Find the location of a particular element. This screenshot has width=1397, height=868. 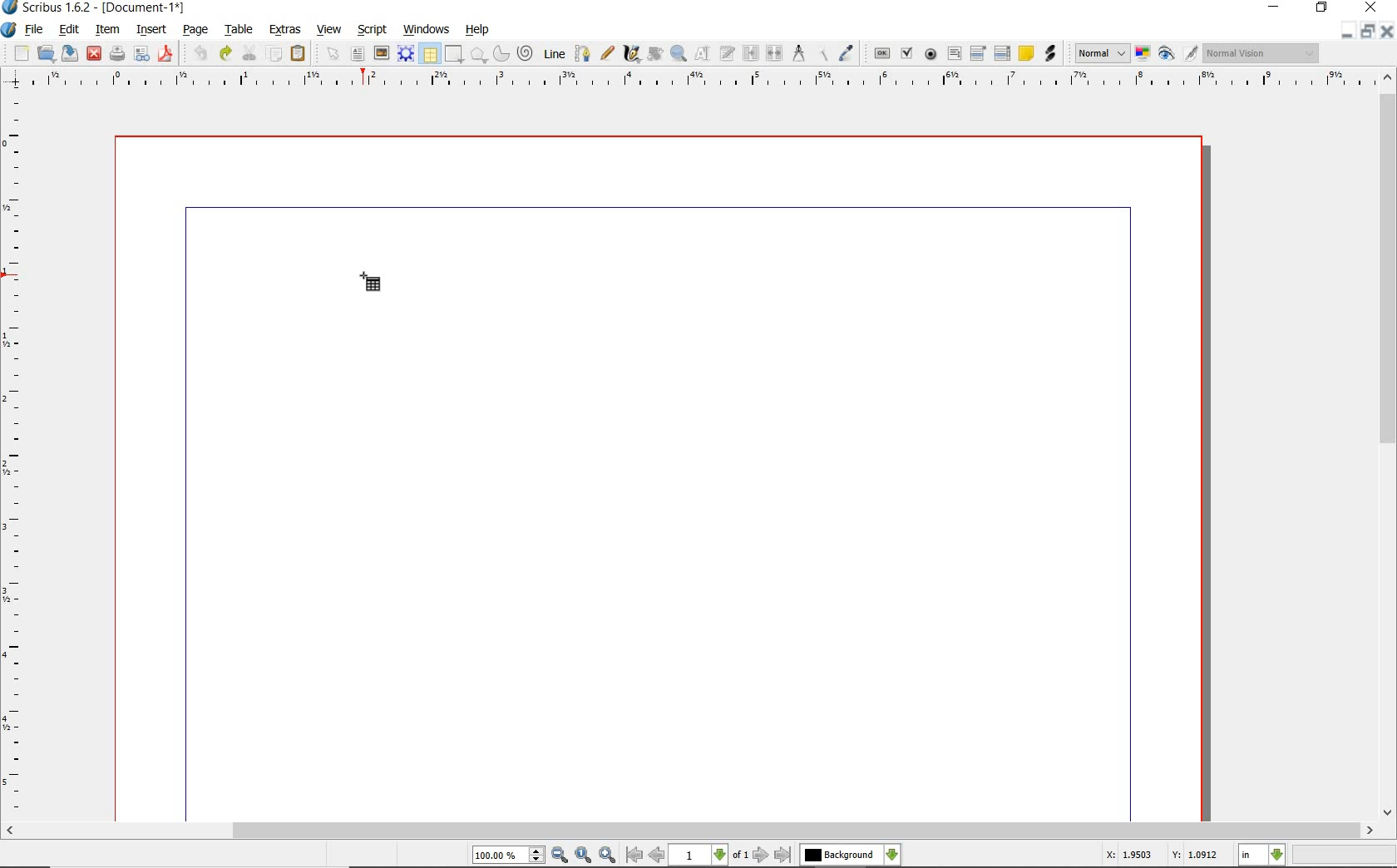

save is located at coordinates (71, 52).